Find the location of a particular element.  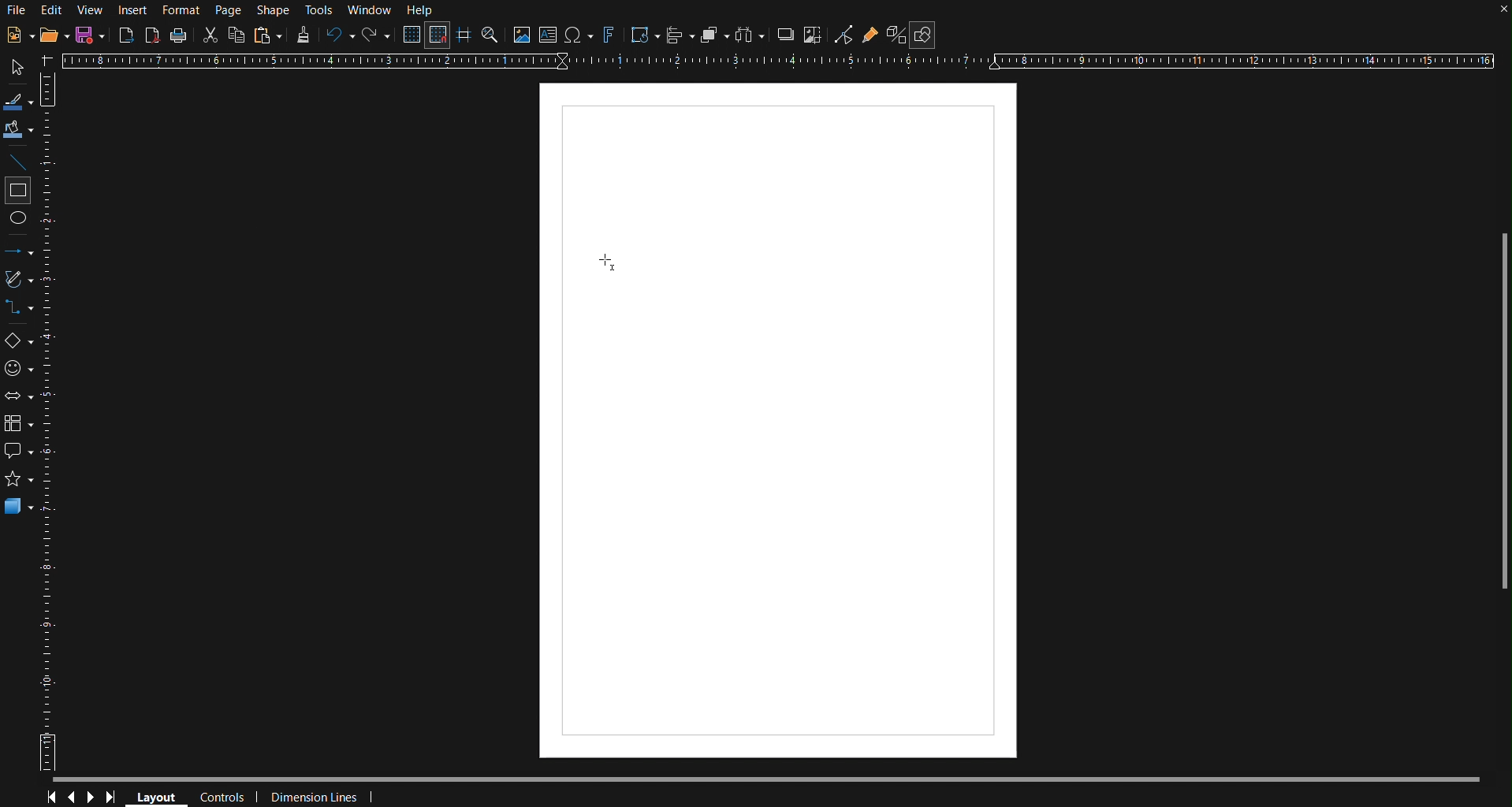

Shape is located at coordinates (274, 11).